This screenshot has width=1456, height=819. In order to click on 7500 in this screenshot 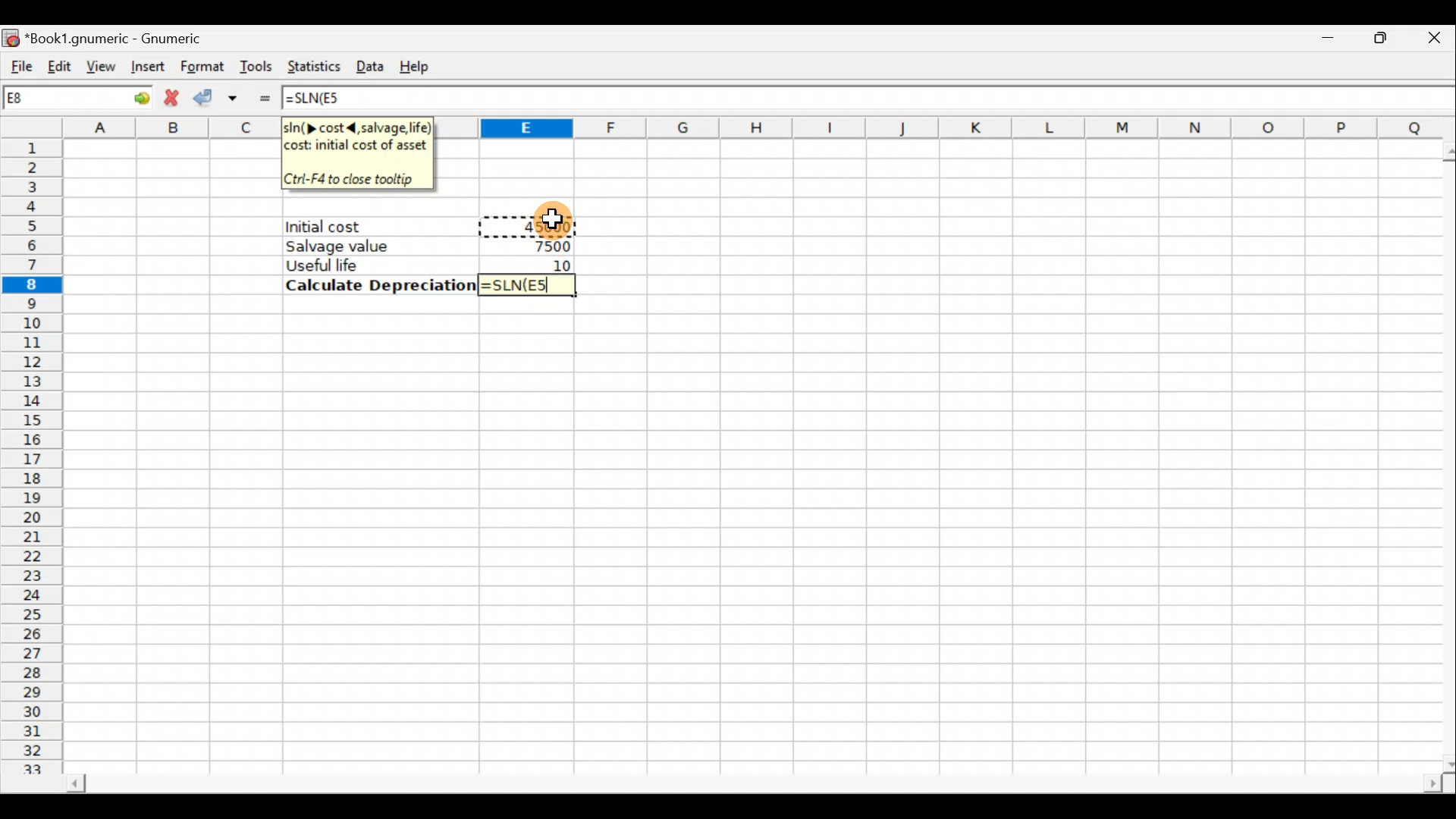, I will do `click(545, 246)`.